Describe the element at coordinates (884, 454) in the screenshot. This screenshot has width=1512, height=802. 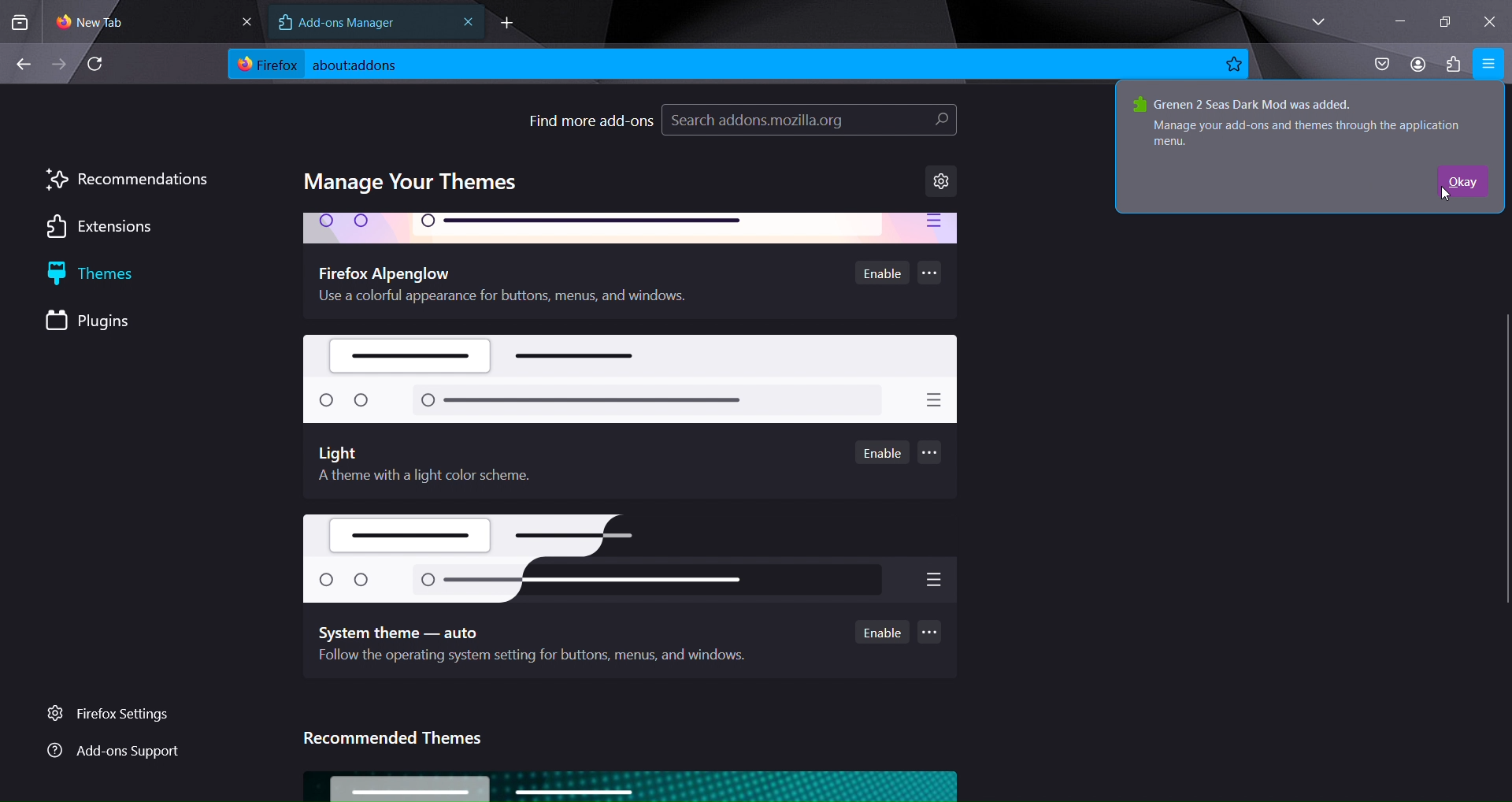
I see `enable` at that location.